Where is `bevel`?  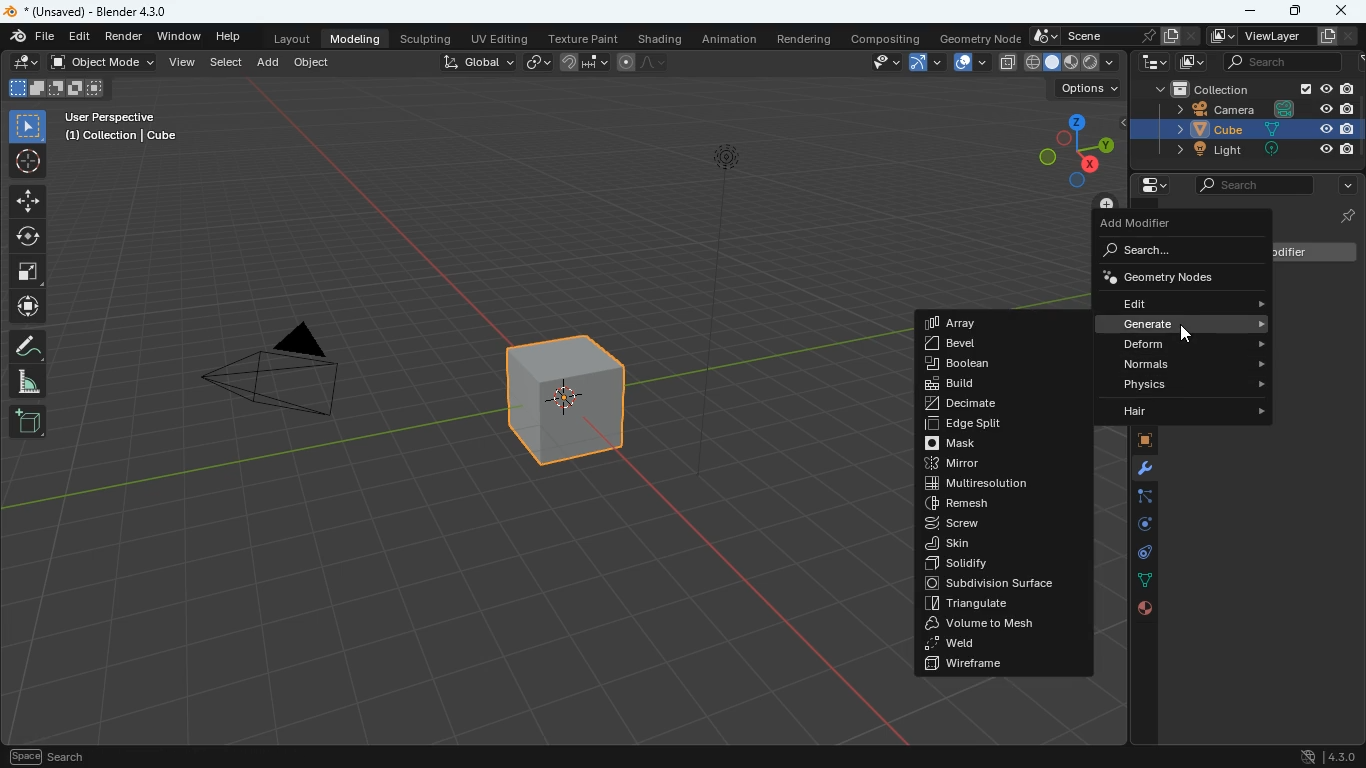
bevel is located at coordinates (980, 345).